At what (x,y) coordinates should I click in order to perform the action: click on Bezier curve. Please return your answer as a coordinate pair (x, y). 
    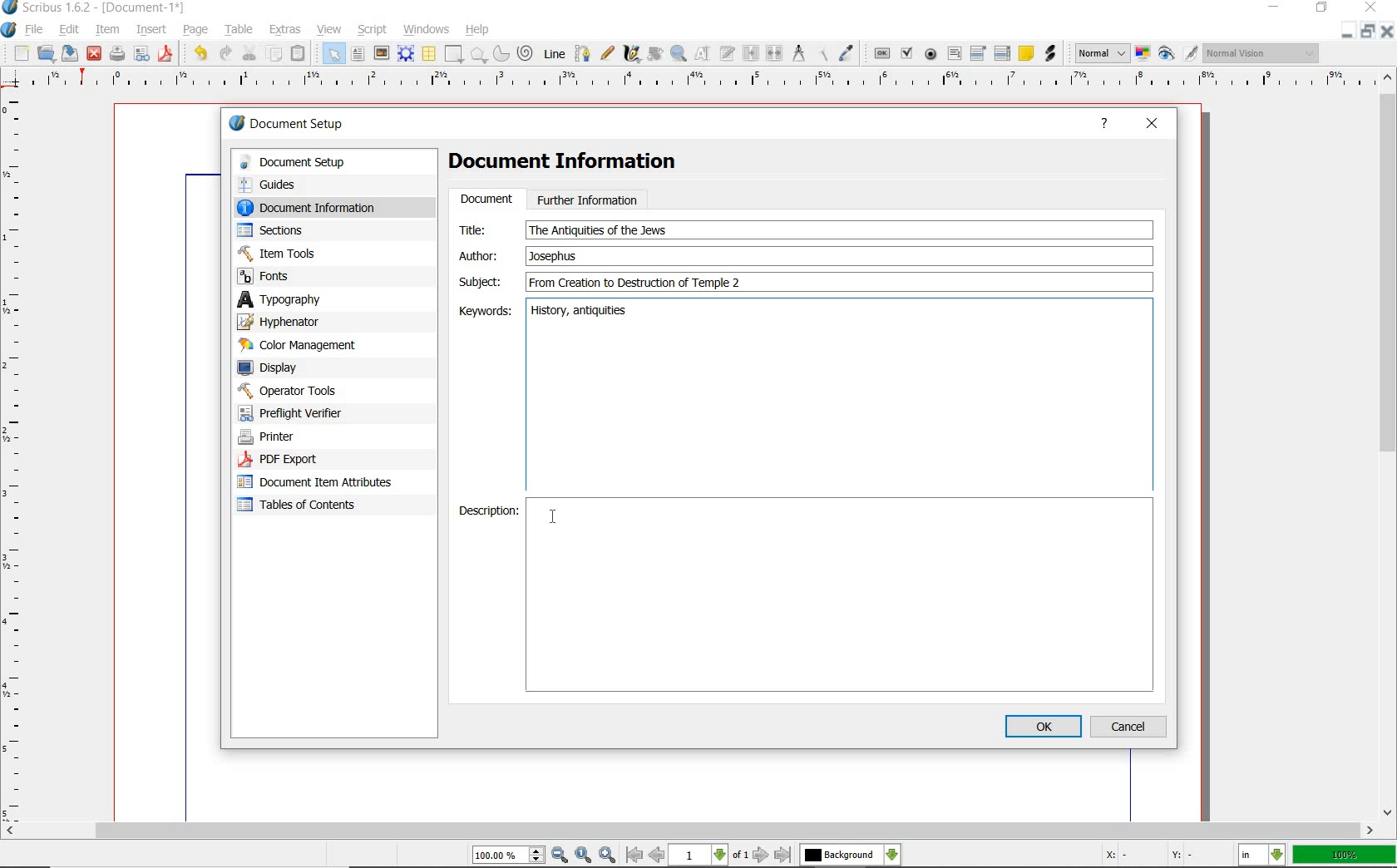
    Looking at the image, I should click on (582, 53).